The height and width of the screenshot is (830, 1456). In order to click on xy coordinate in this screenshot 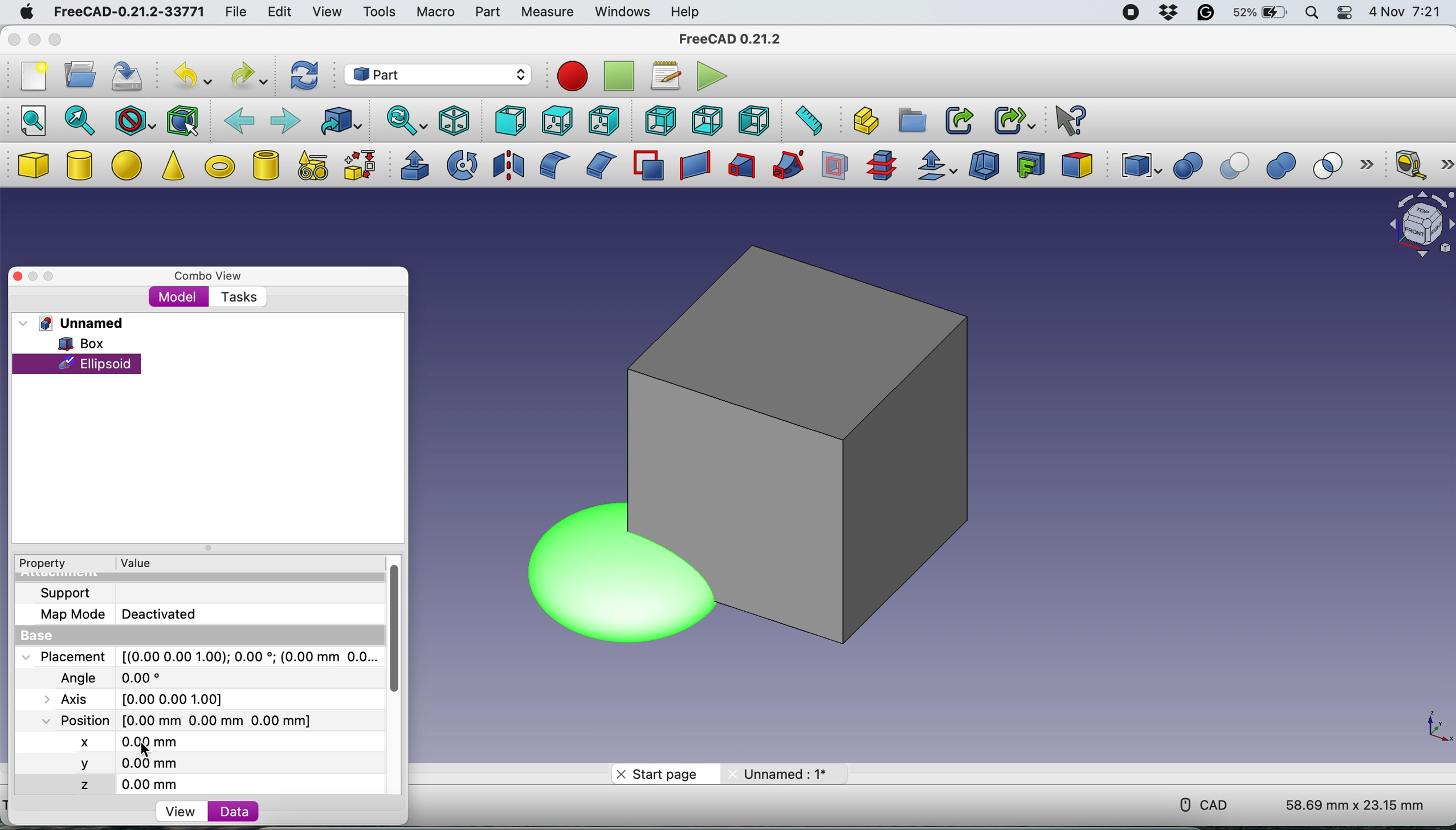, I will do `click(1431, 731)`.